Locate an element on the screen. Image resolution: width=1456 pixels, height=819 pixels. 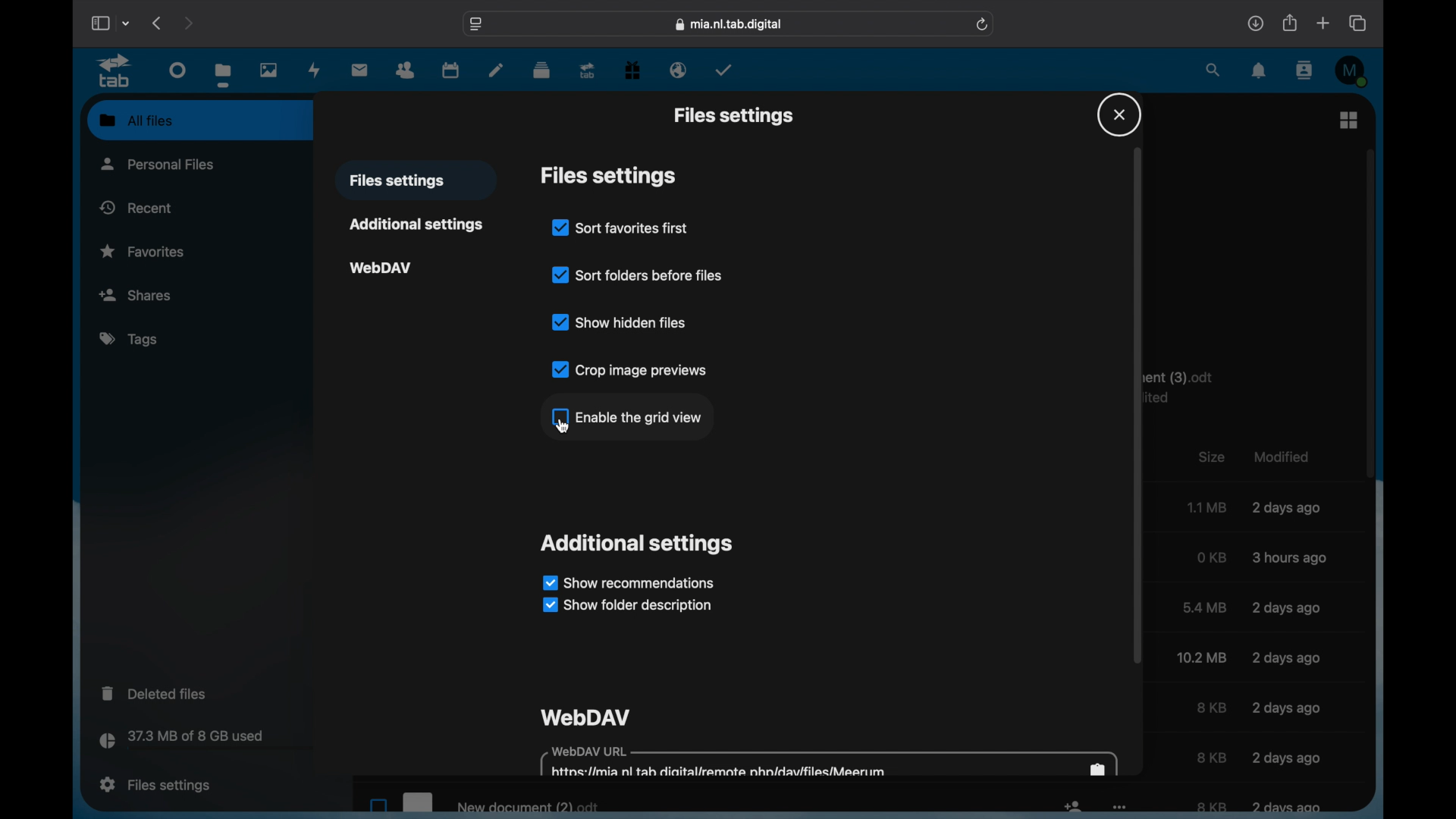
enable the grid view is located at coordinates (625, 416).